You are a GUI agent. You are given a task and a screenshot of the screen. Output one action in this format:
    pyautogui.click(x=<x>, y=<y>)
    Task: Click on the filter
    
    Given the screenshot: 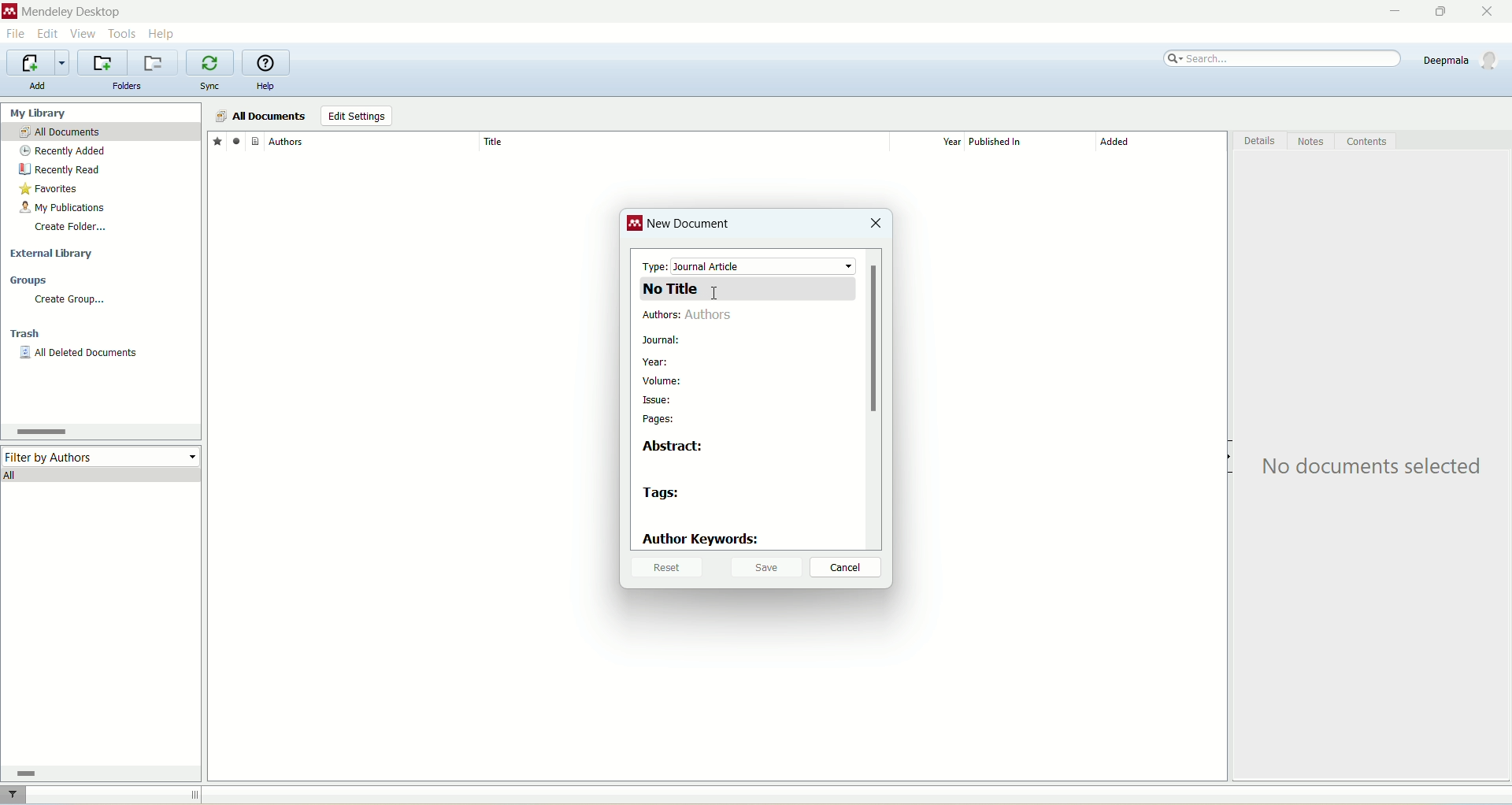 What is the action you would take?
    pyautogui.click(x=15, y=795)
    